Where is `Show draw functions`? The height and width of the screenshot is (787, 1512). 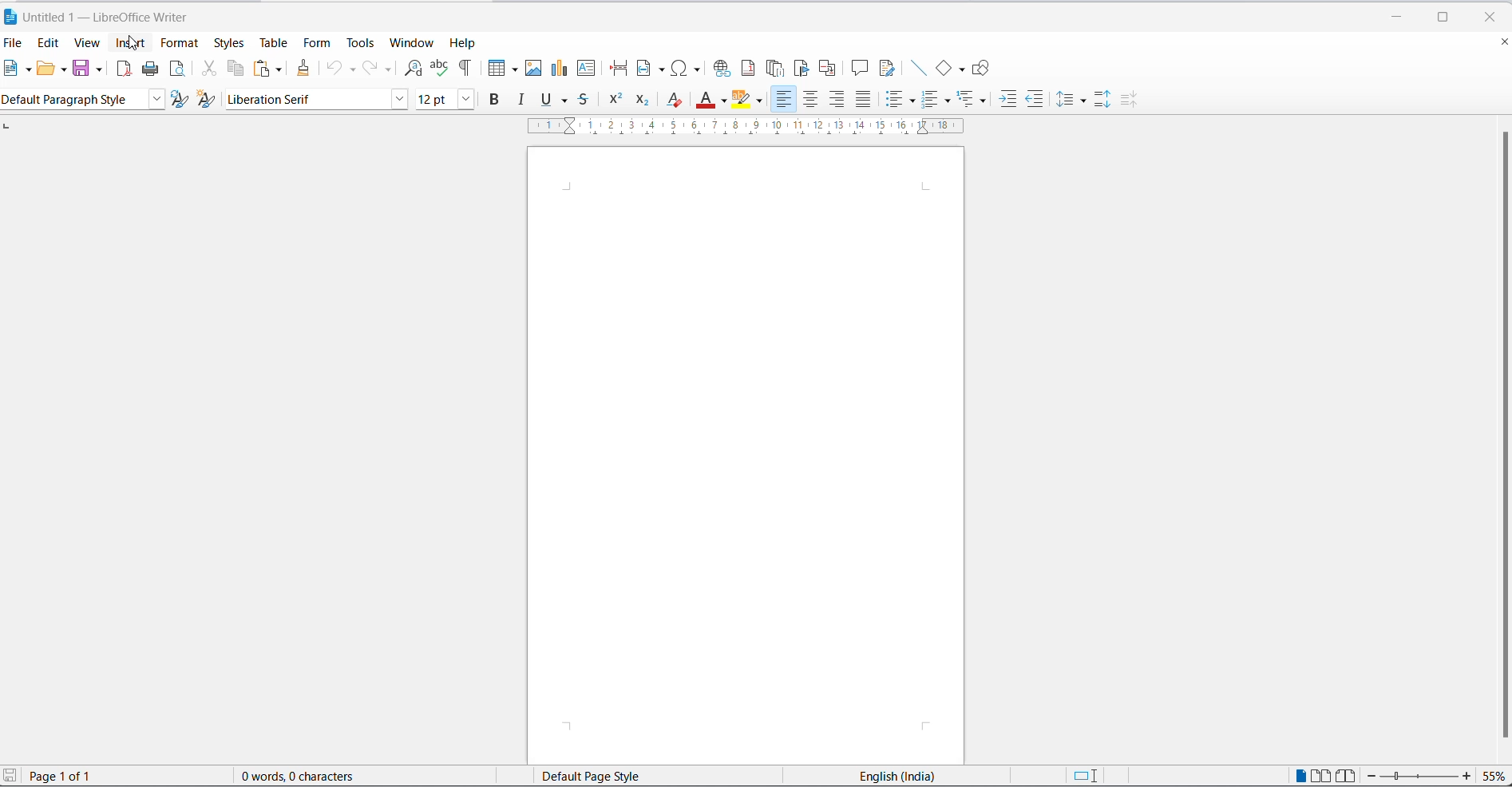 Show draw functions is located at coordinates (984, 69).